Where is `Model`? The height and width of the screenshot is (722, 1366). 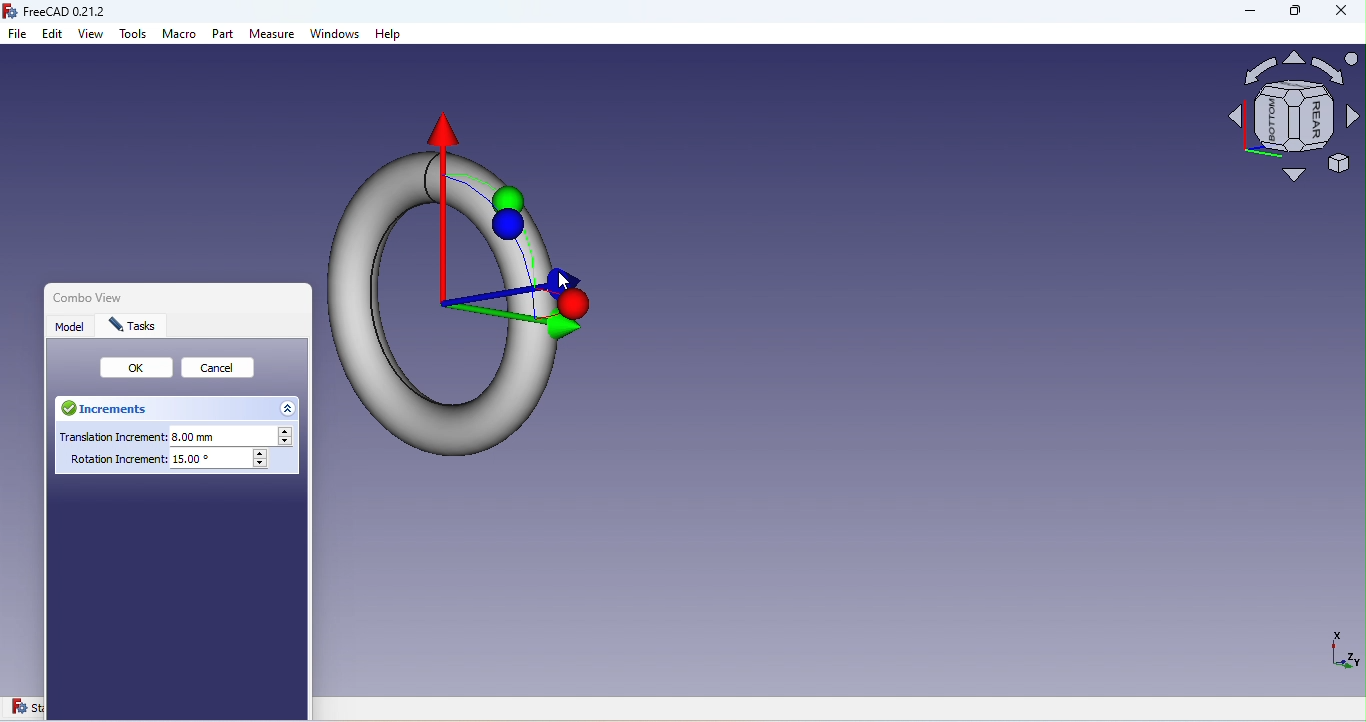 Model is located at coordinates (72, 326).